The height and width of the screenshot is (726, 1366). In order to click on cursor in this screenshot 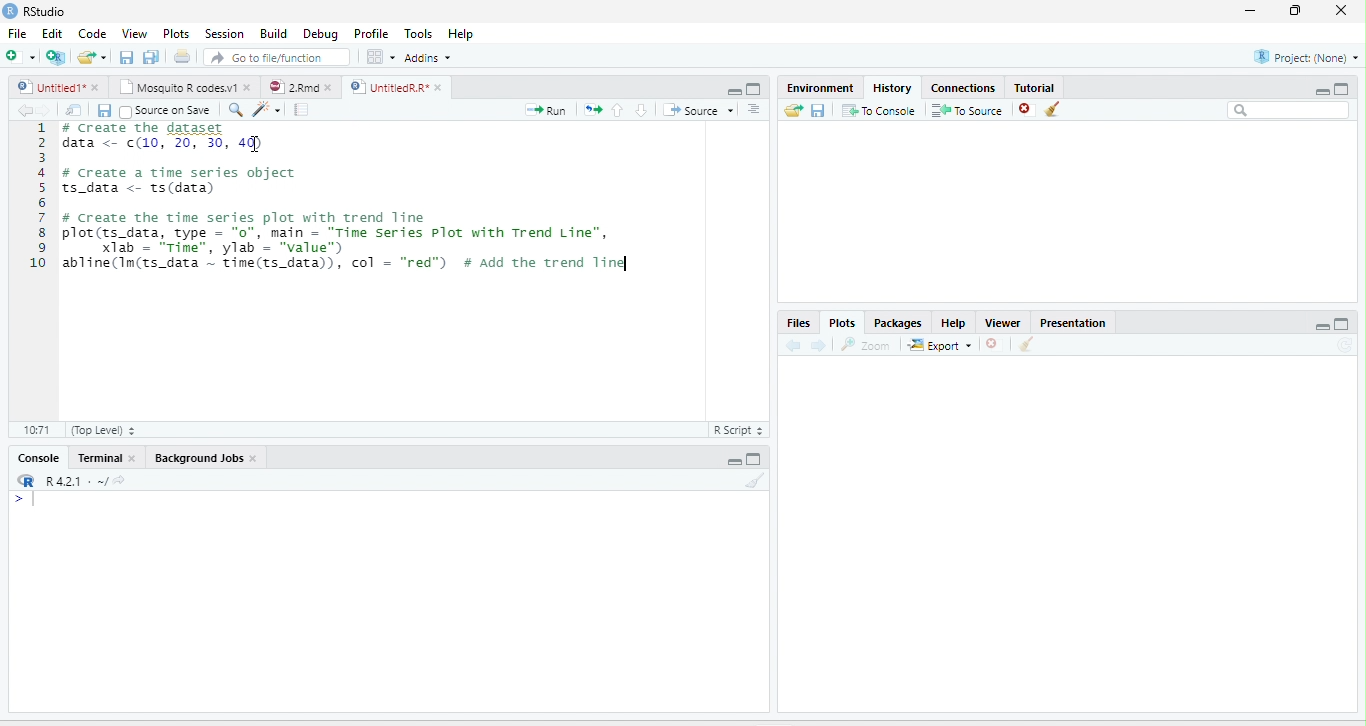, I will do `click(254, 144)`.